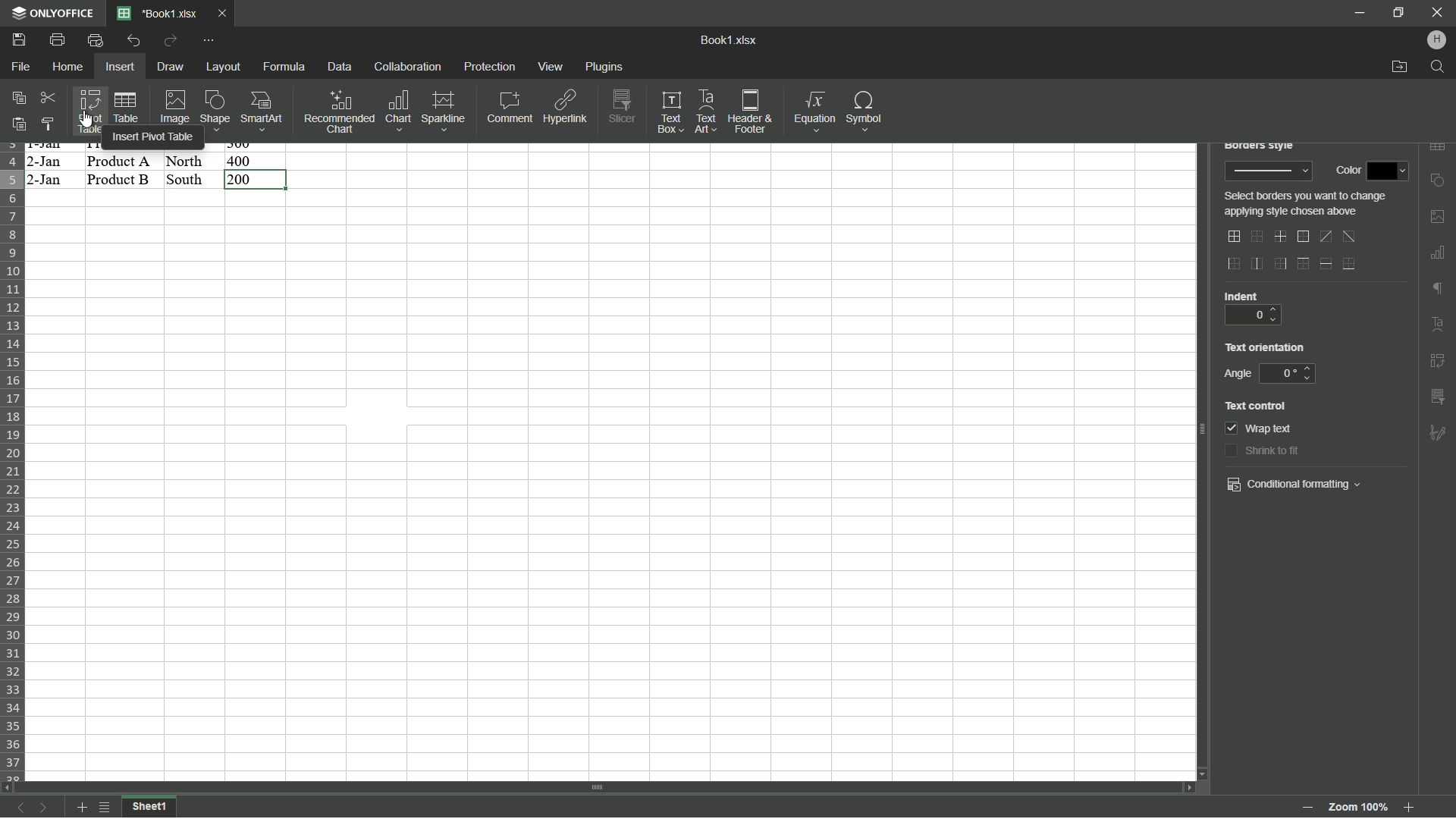  What do you see at coordinates (1328, 237) in the screenshot?
I see `diagonal up border` at bounding box center [1328, 237].